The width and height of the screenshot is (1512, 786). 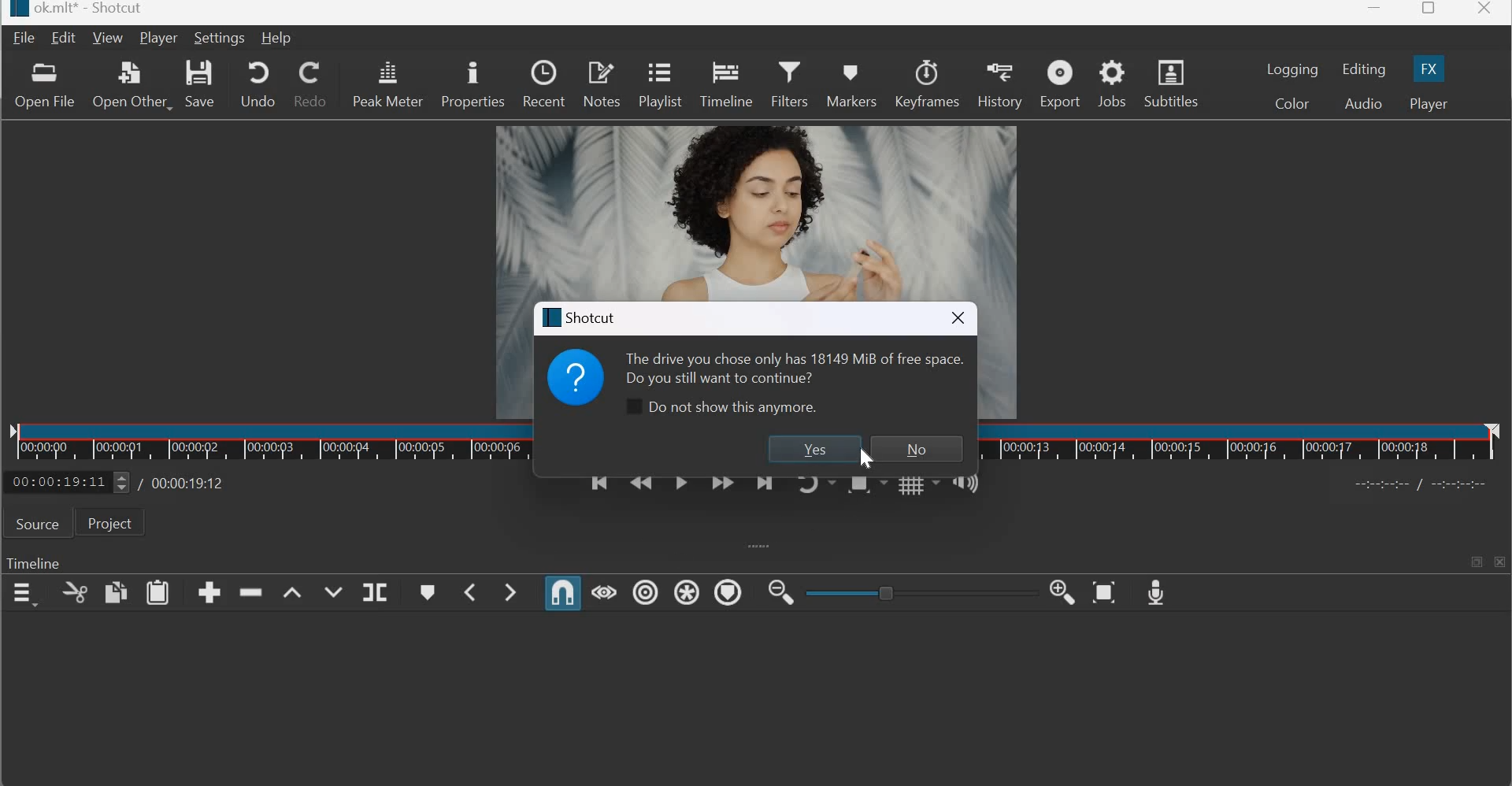 I want to click on current position, so click(x=69, y=480).